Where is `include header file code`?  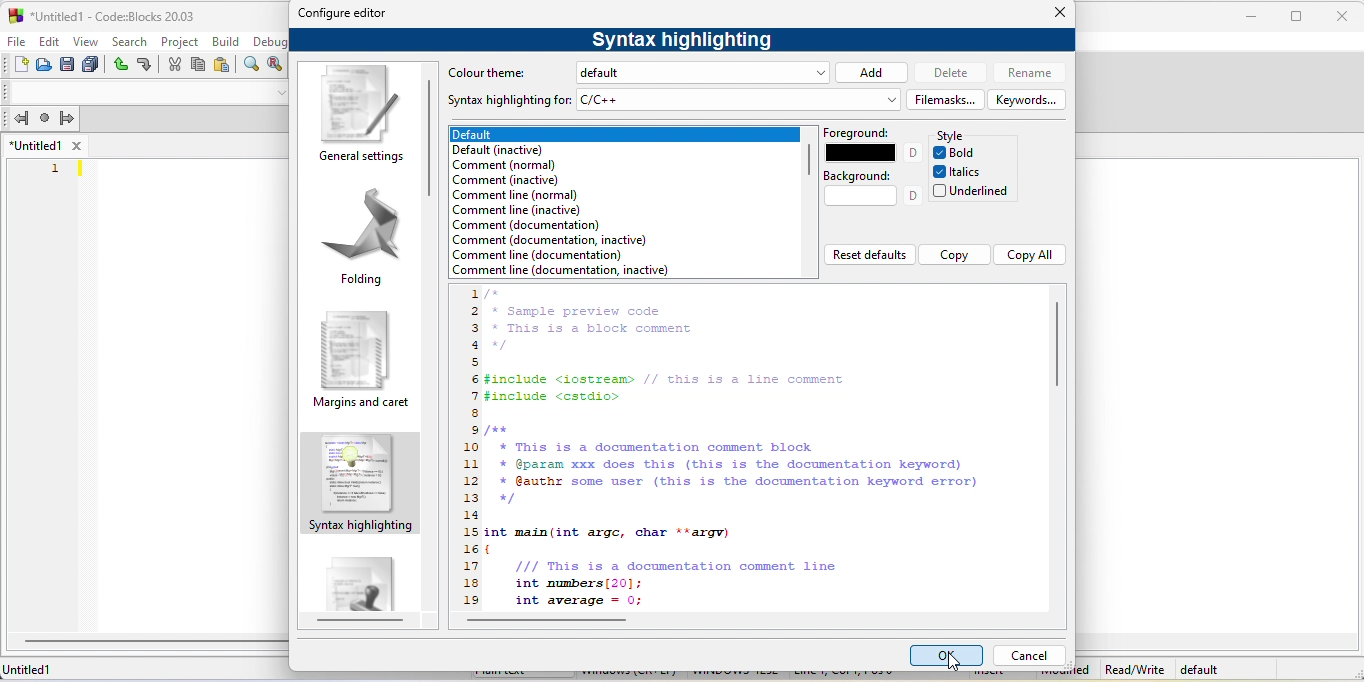
include header file code is located at coordinates (667, 388).